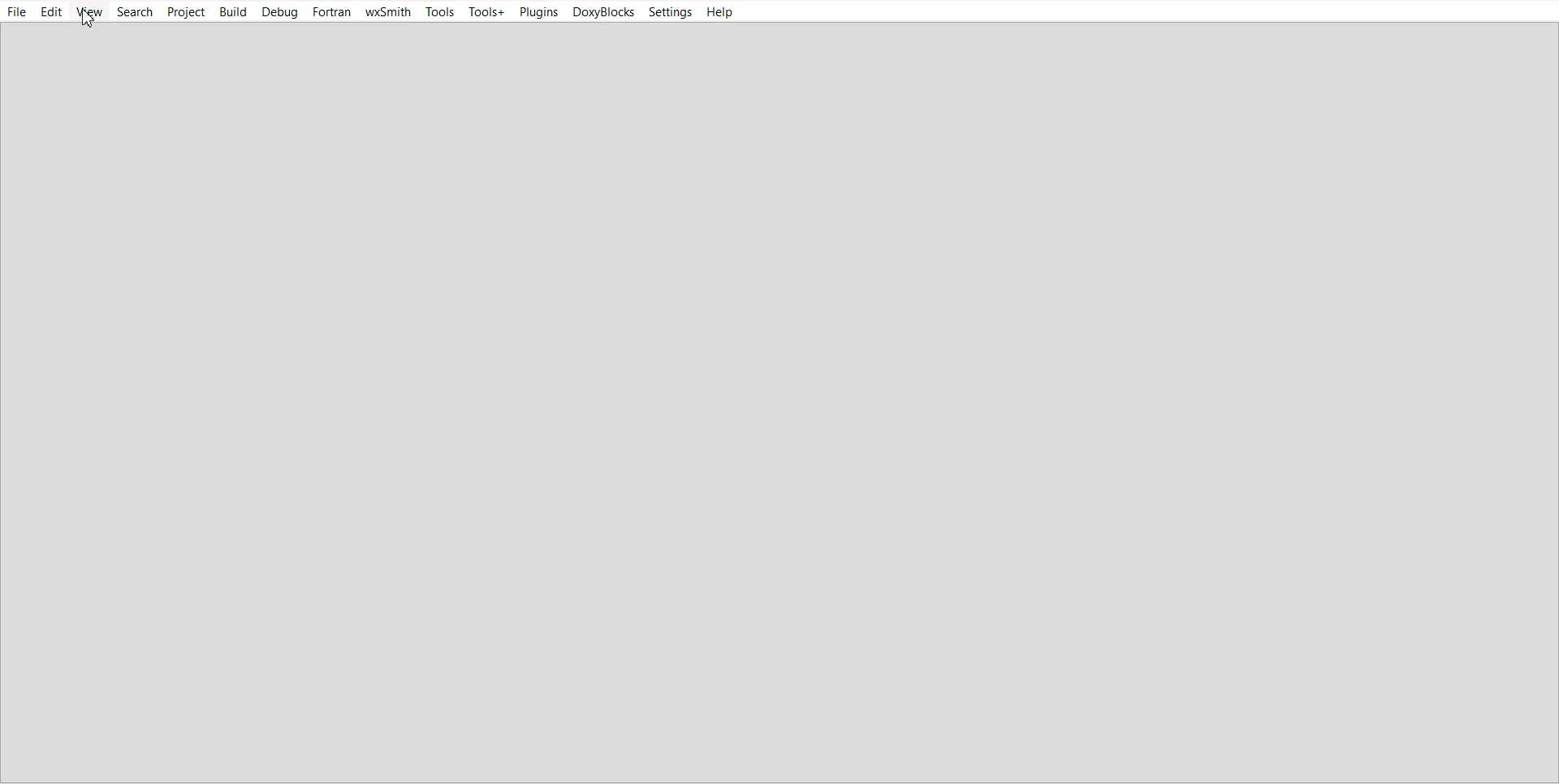 The width and height of the screenshot is (1559, 784). What do you see at coordinates (52, 12) in the screenshot?
I see `Edit` at bounding box center [52, 12].